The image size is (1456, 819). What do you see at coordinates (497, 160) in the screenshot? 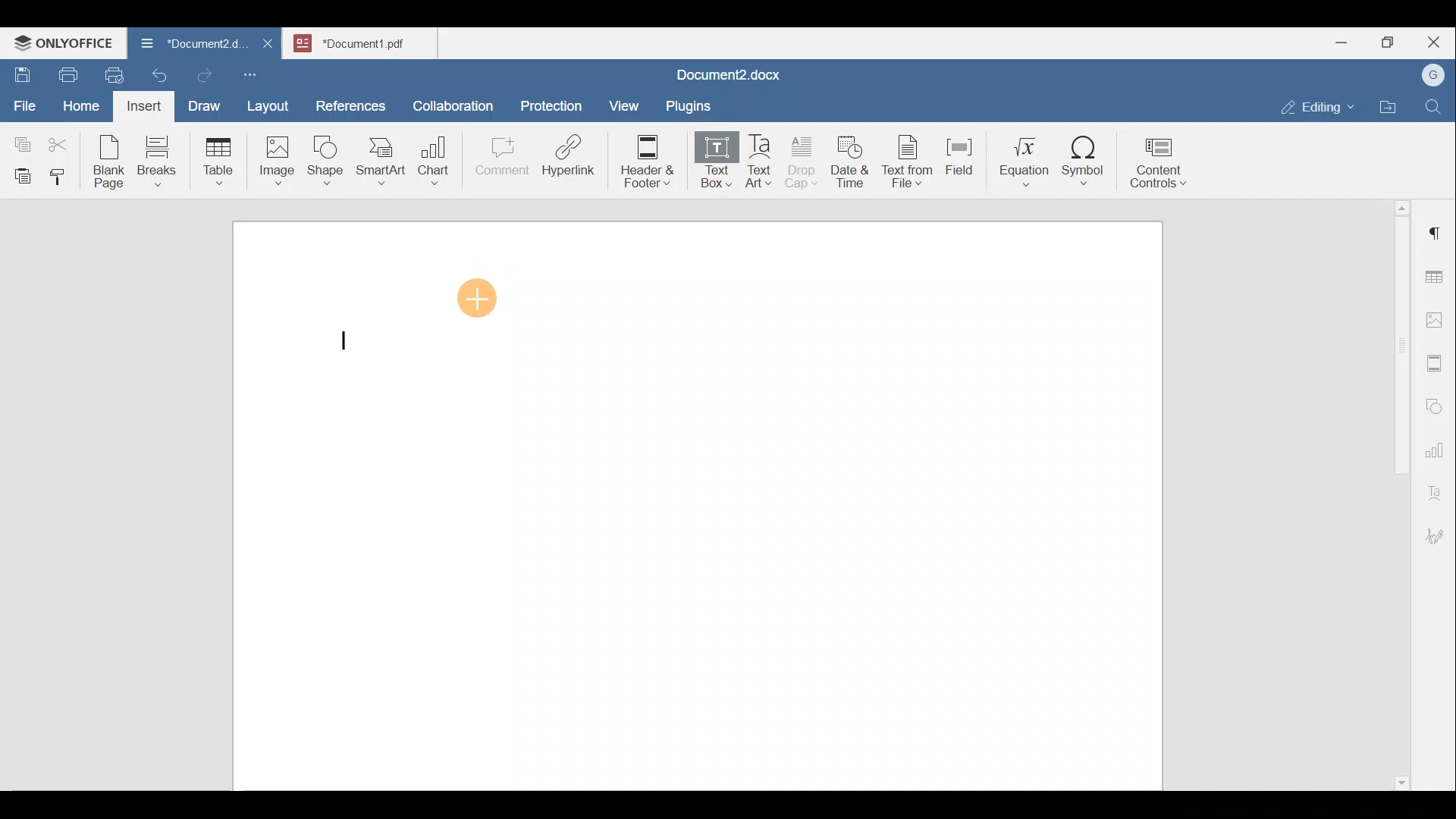
I see `Comment` at bounding box center [497, 160].